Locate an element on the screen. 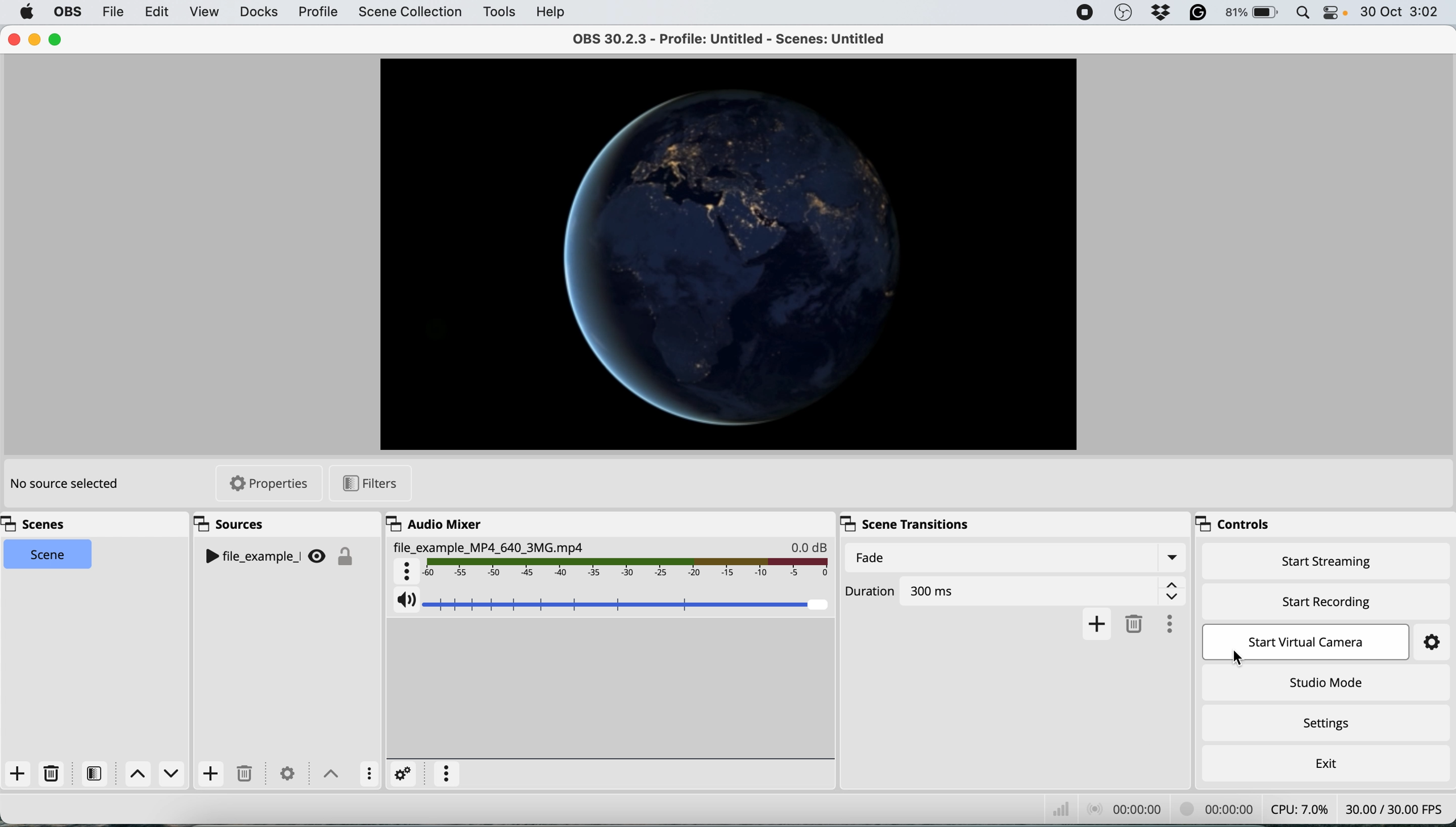 The height and width of the screenshot is (827, 1456). sources is located at coordinates (286, 558).